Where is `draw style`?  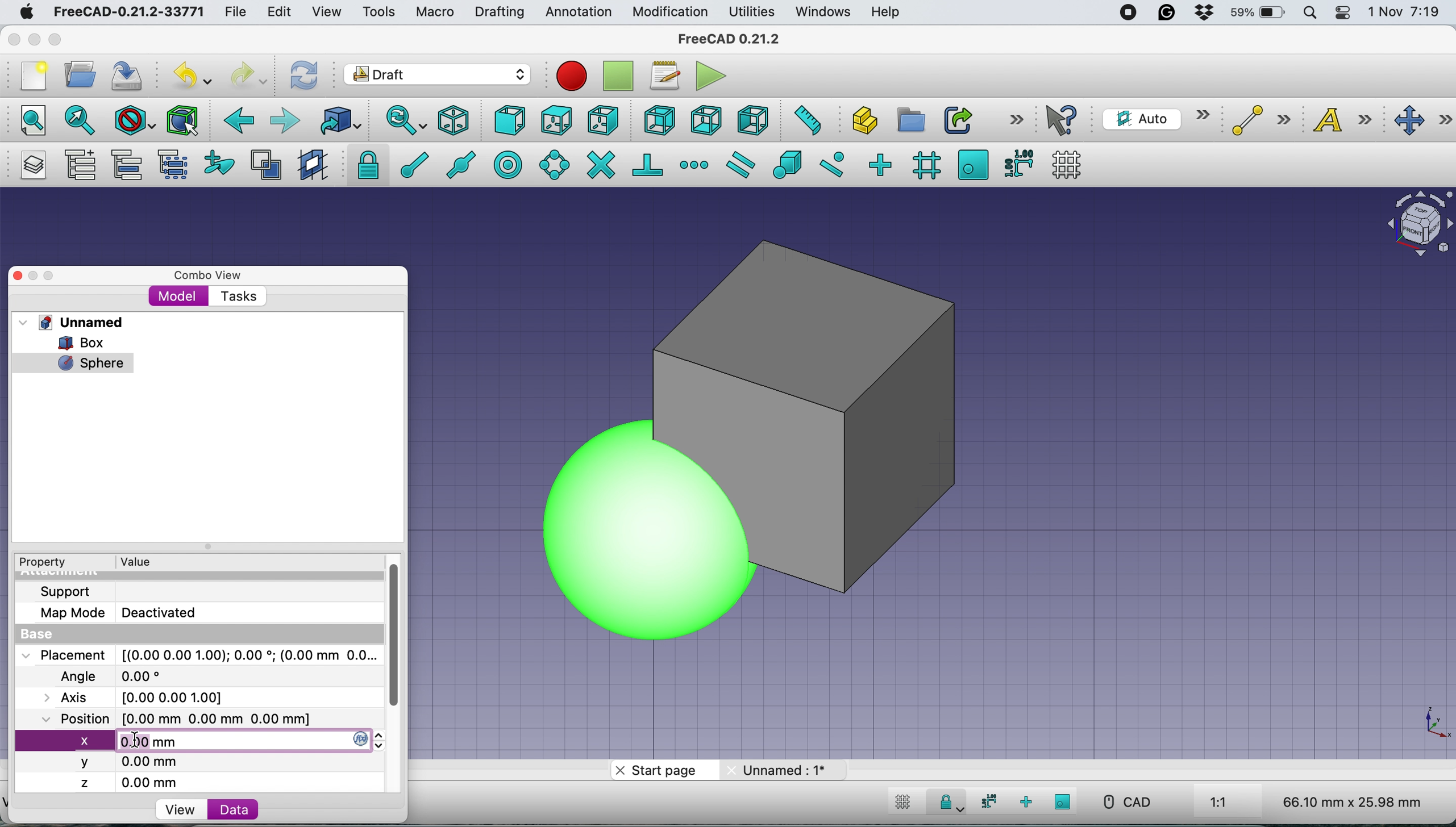
draw style is located at coordinates (135, 122).